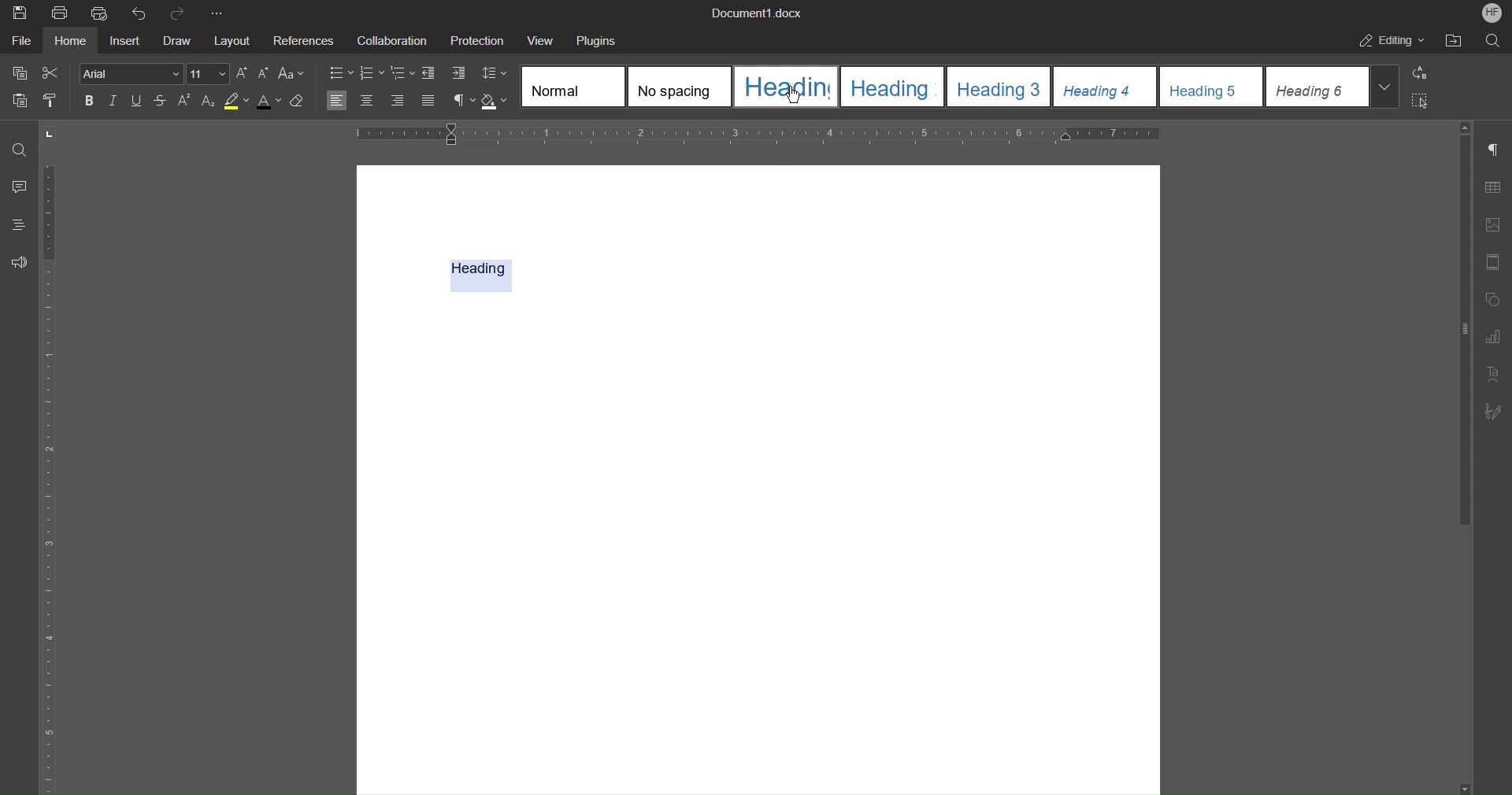  Describe the element at coordinates (241, 73) in the screenshot. I see `Increase Size` at that location.